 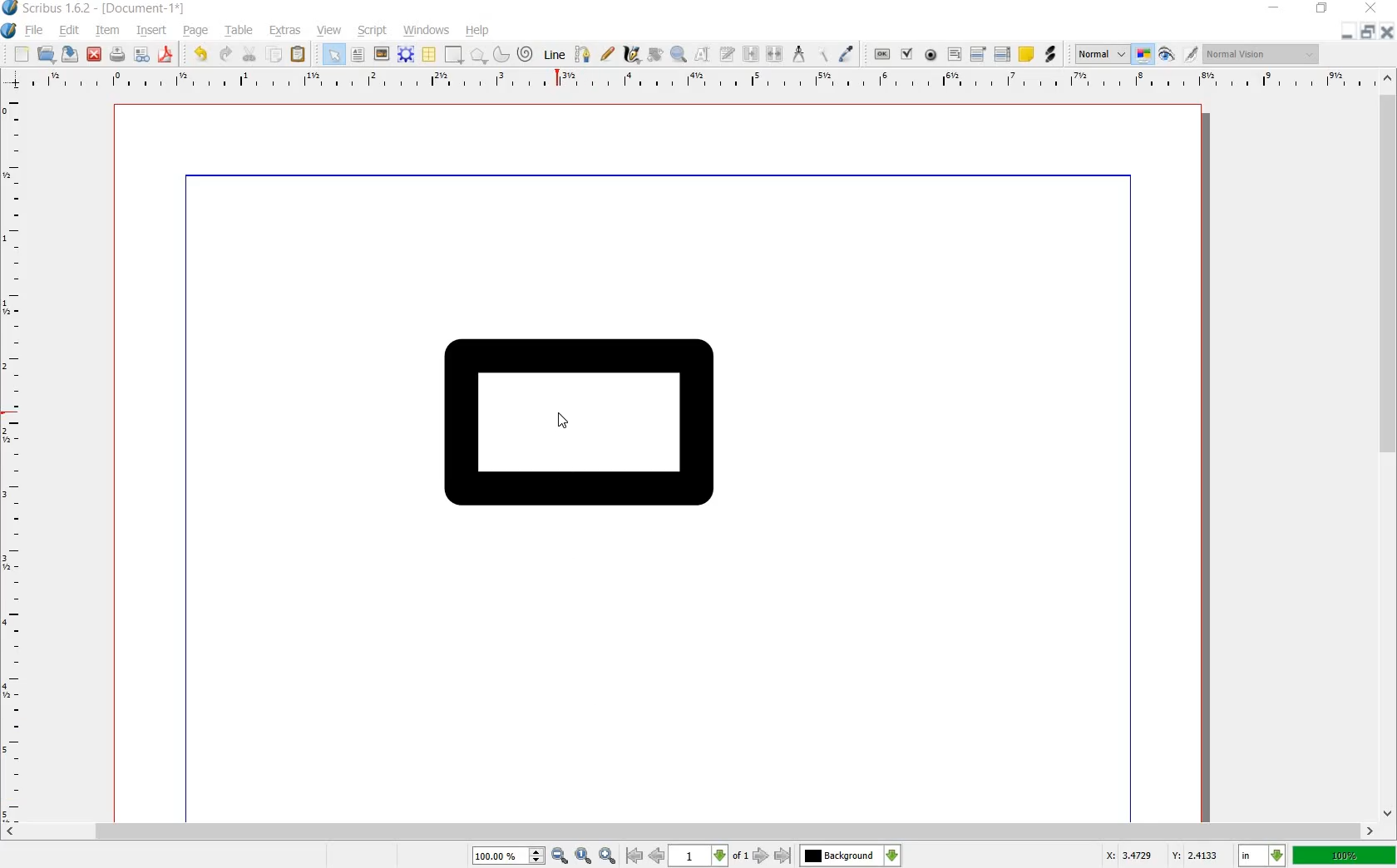 I want to click on text annotation, so click(x=1027, y=55).